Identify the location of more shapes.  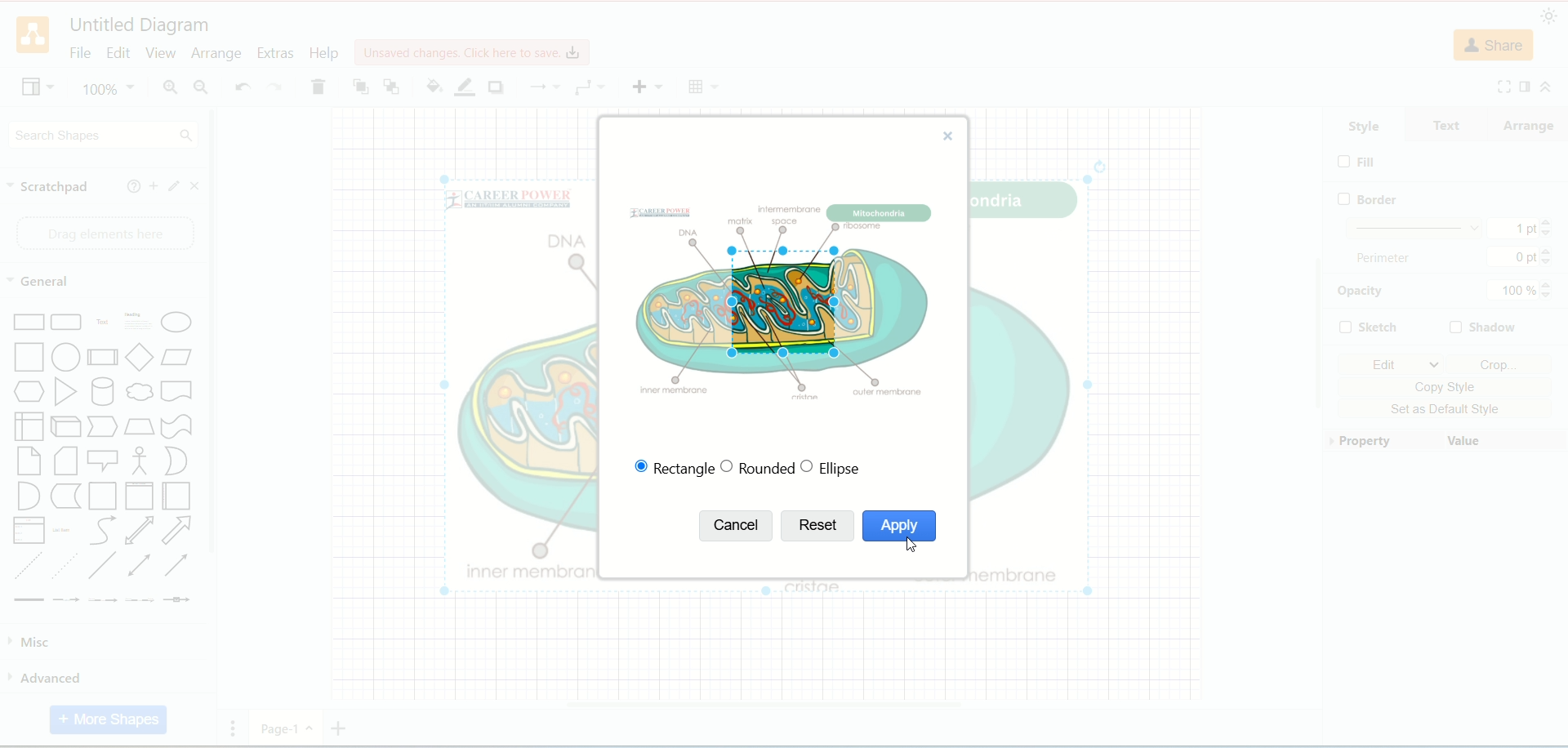
(109, 720).